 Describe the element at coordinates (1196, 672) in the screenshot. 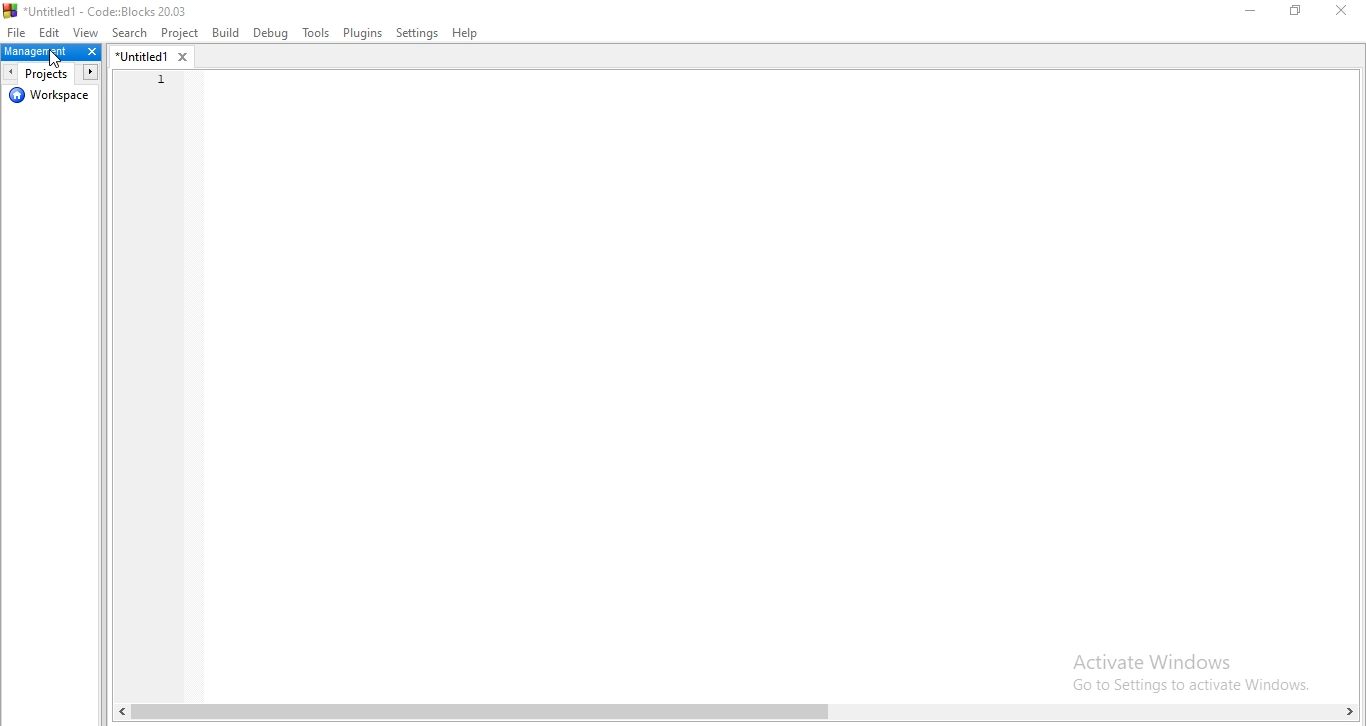

I see `Activate Windows
Go to Settings to activate Windows.` at that location.